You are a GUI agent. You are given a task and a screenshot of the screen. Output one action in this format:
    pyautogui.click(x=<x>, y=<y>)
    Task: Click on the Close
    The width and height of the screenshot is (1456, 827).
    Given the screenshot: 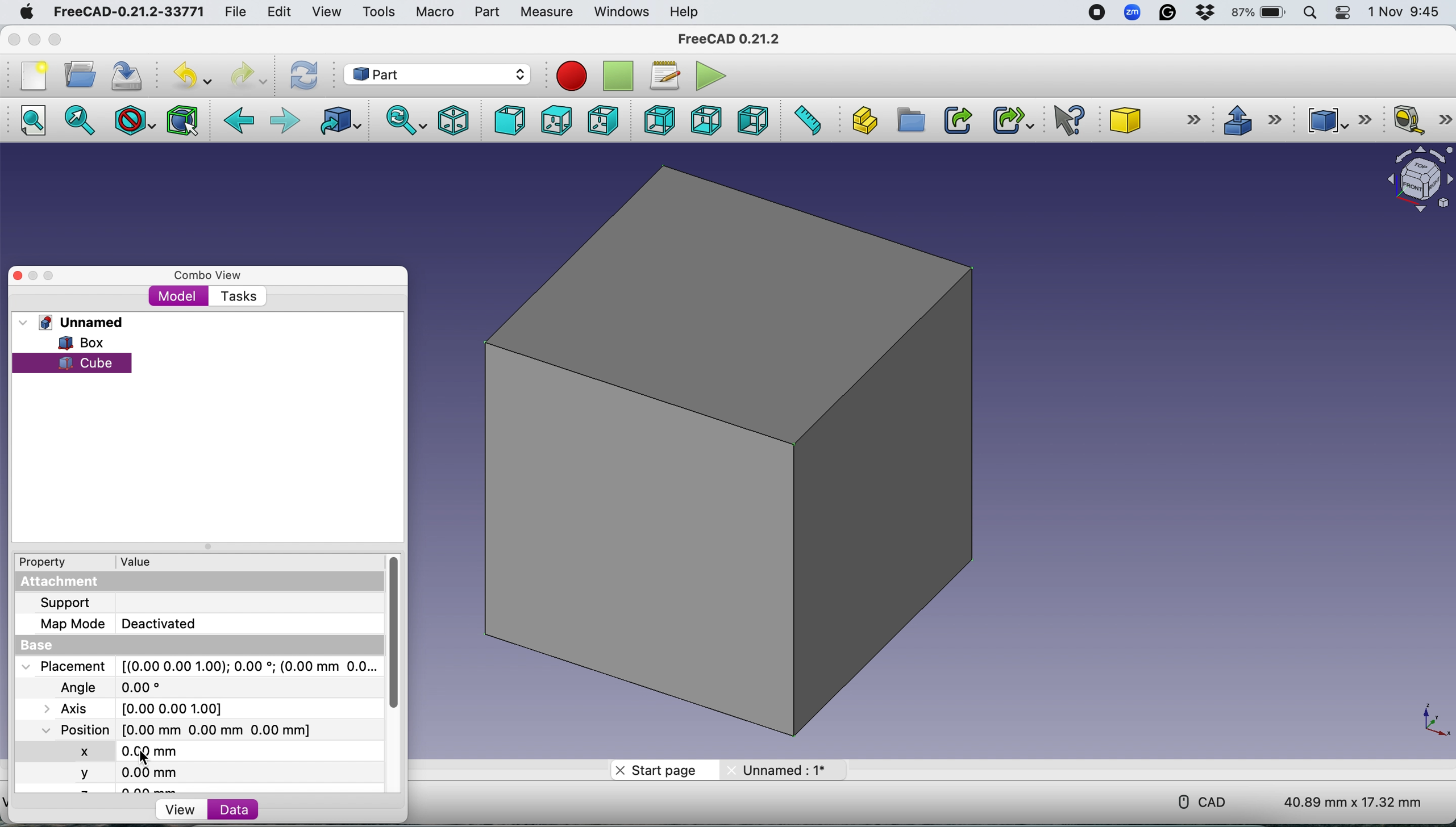 What is the action you would take?
    pyautogui.click(x=18, y=276)
    